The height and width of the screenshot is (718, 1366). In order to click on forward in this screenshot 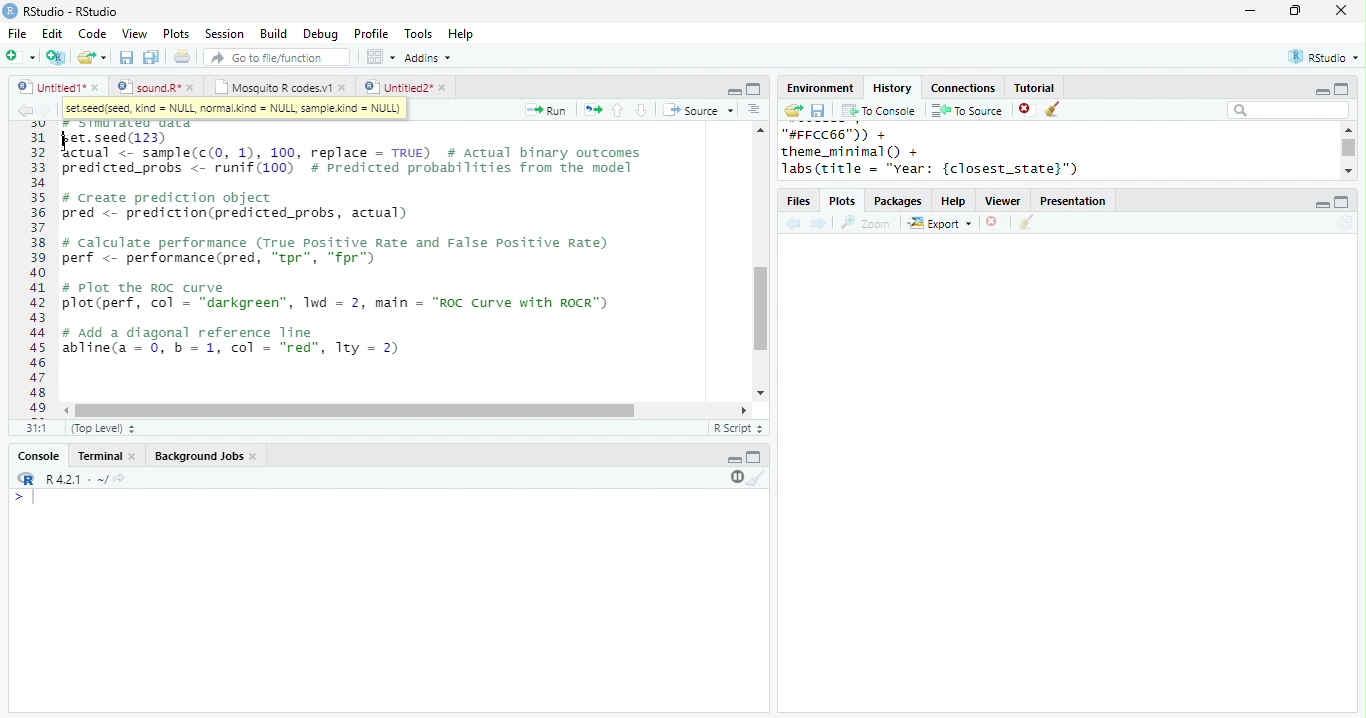, I will do `click(820, 225)`.